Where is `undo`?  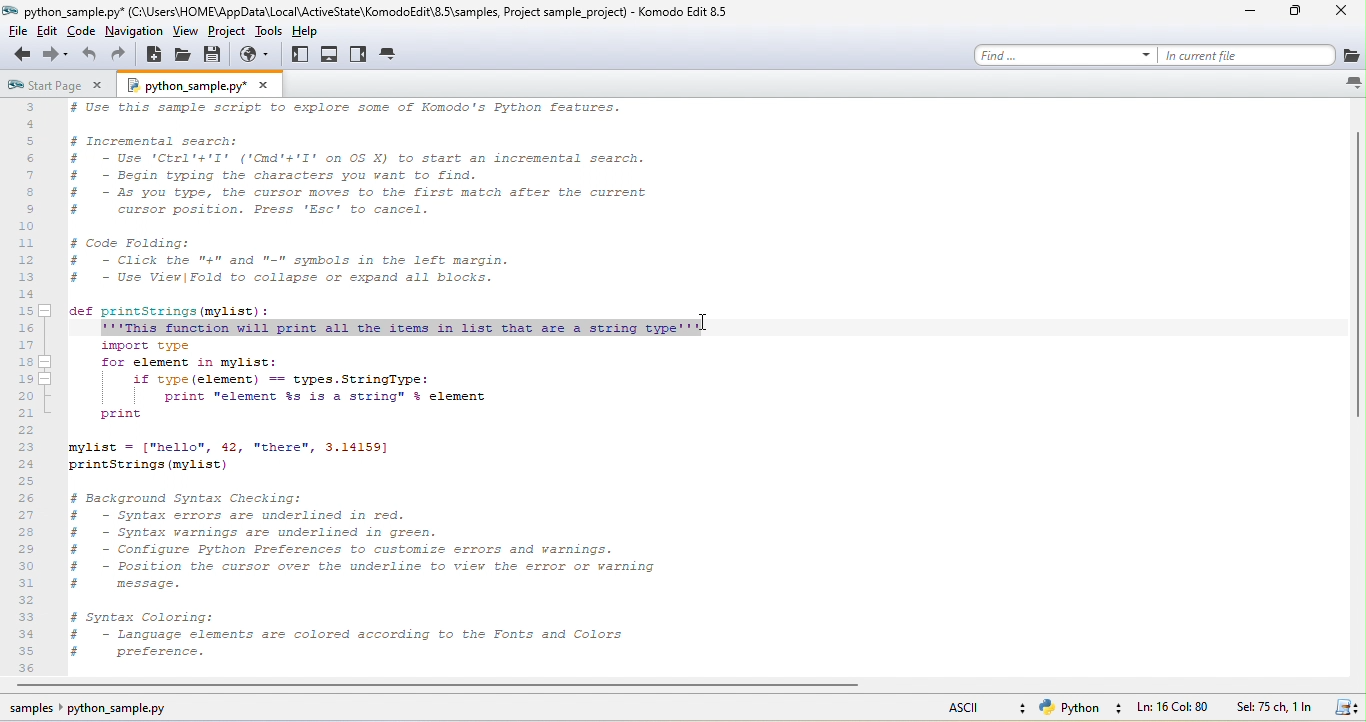
undo is located at coordinates (88, 56).